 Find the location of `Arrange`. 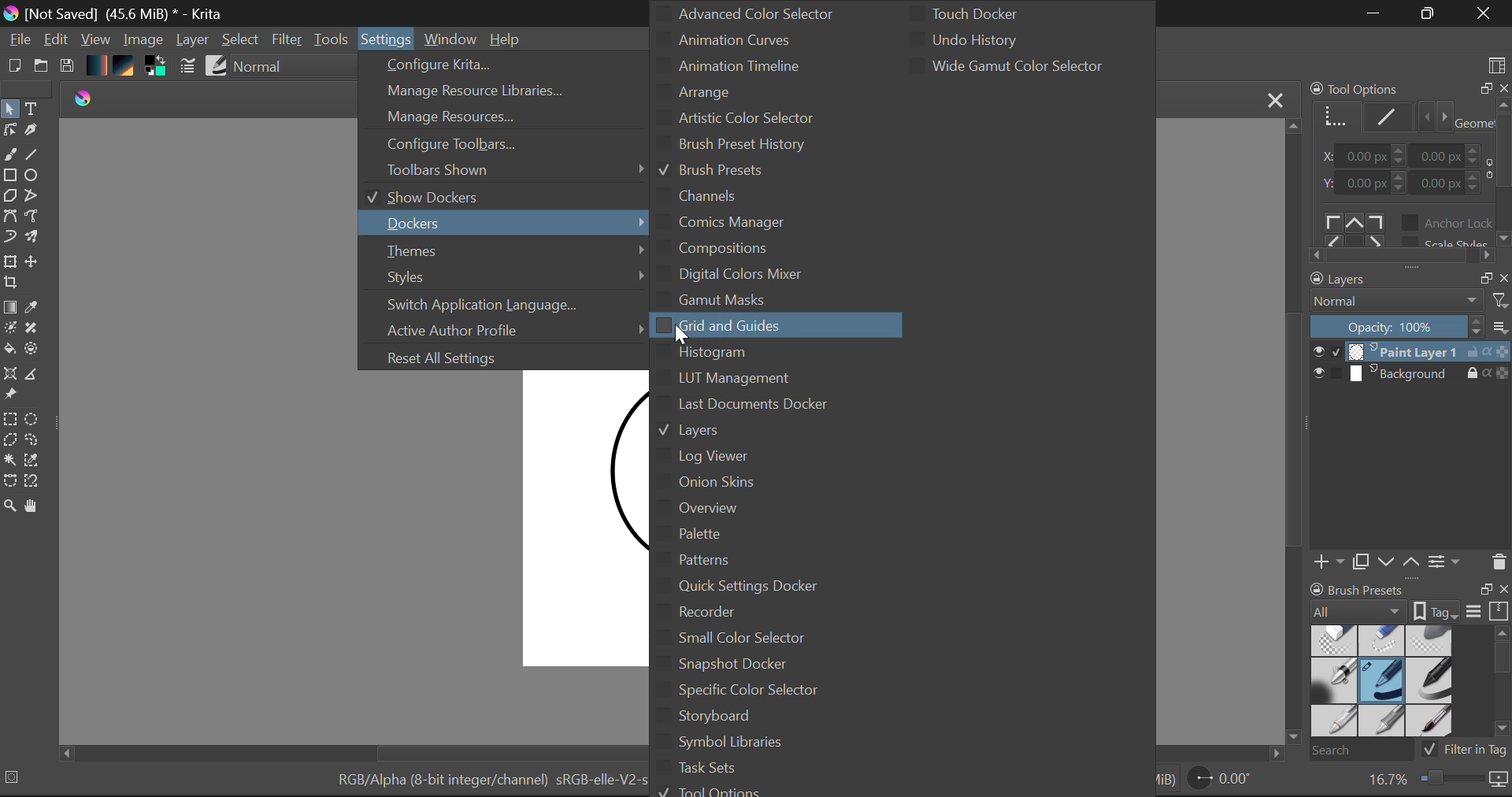

Arrange is located at coordinates (736, 91).